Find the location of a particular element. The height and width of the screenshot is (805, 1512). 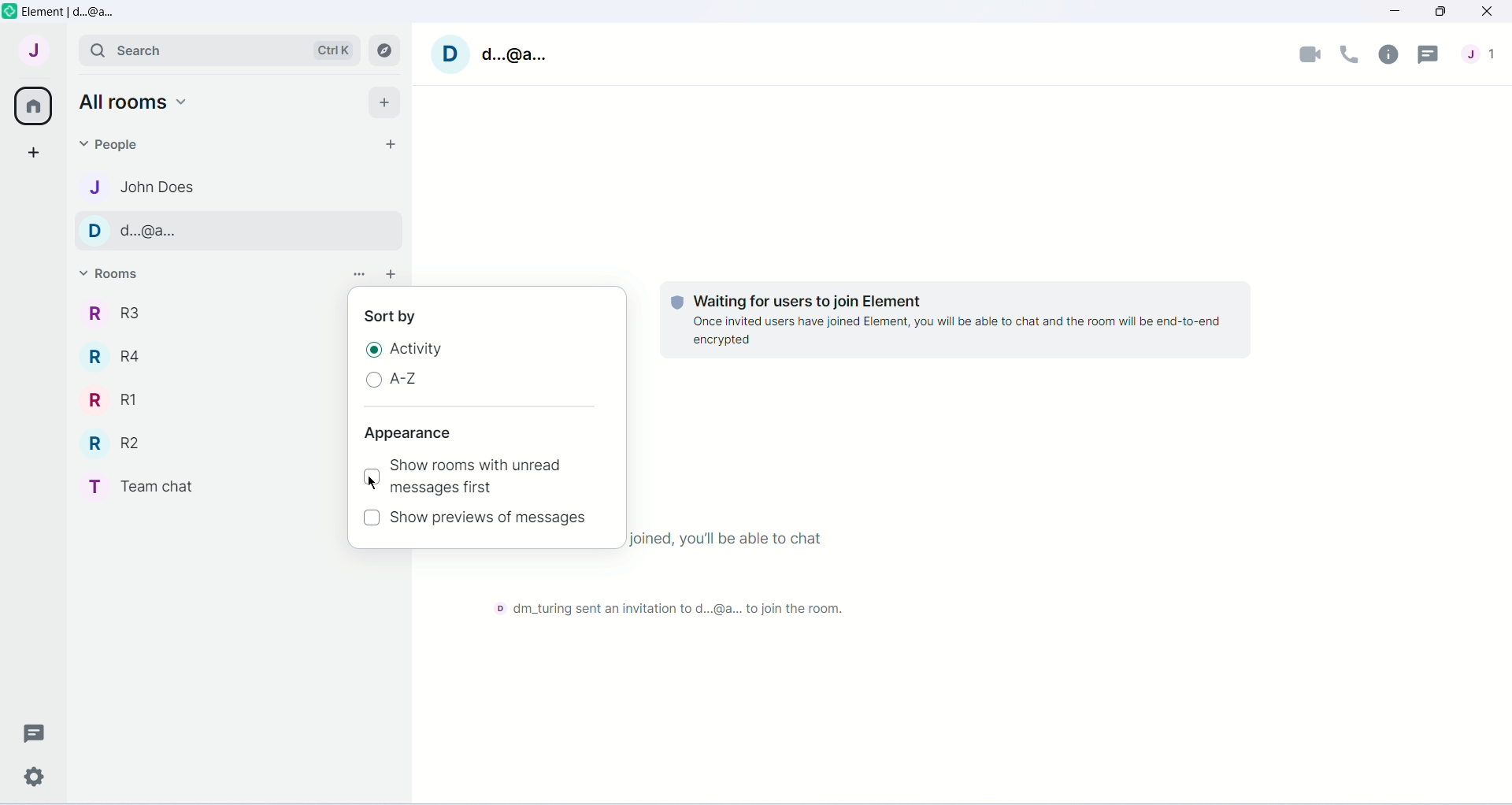

All Rooms is located at coordinates (32, 106).